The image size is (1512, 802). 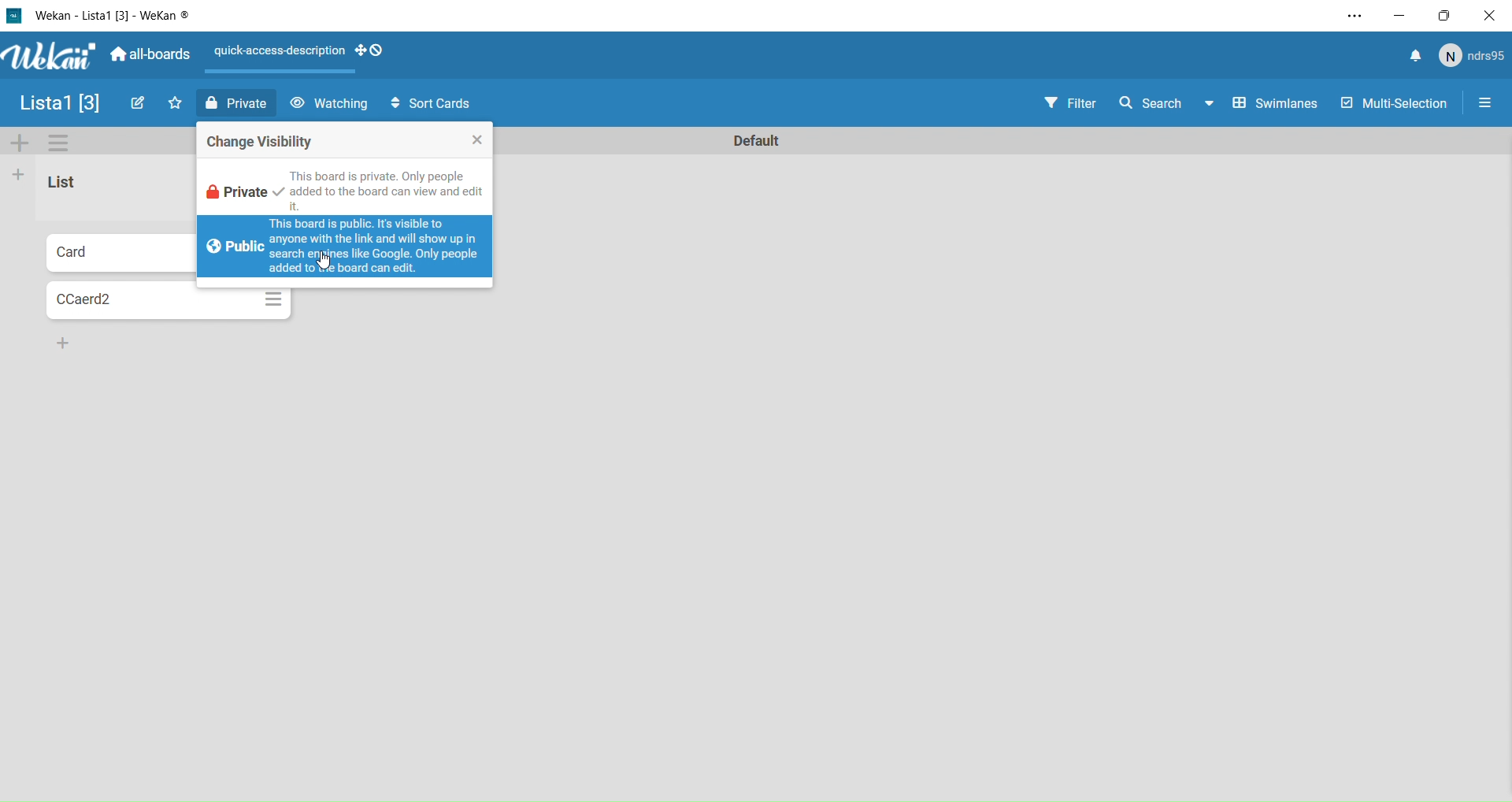 I want to click on Text, so click(x=761, y=142).